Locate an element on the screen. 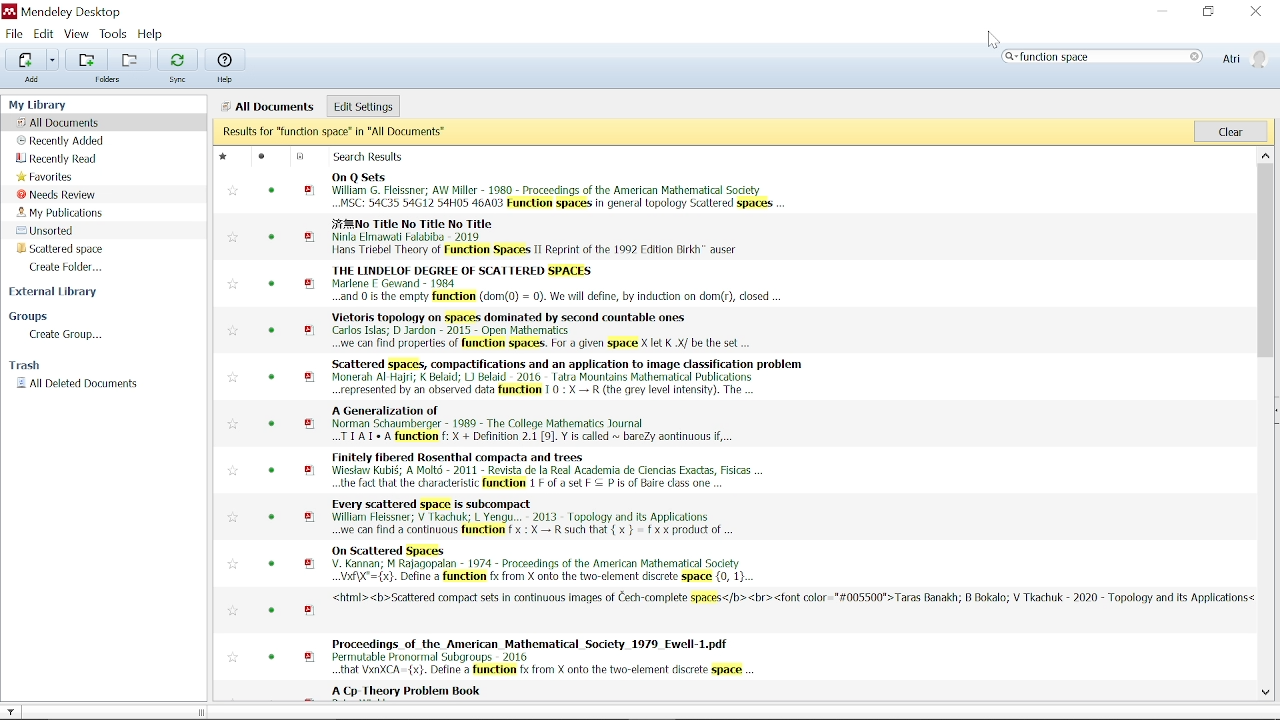 The image size is (1280, 720). Profile is located at coordinates (1245, 57).